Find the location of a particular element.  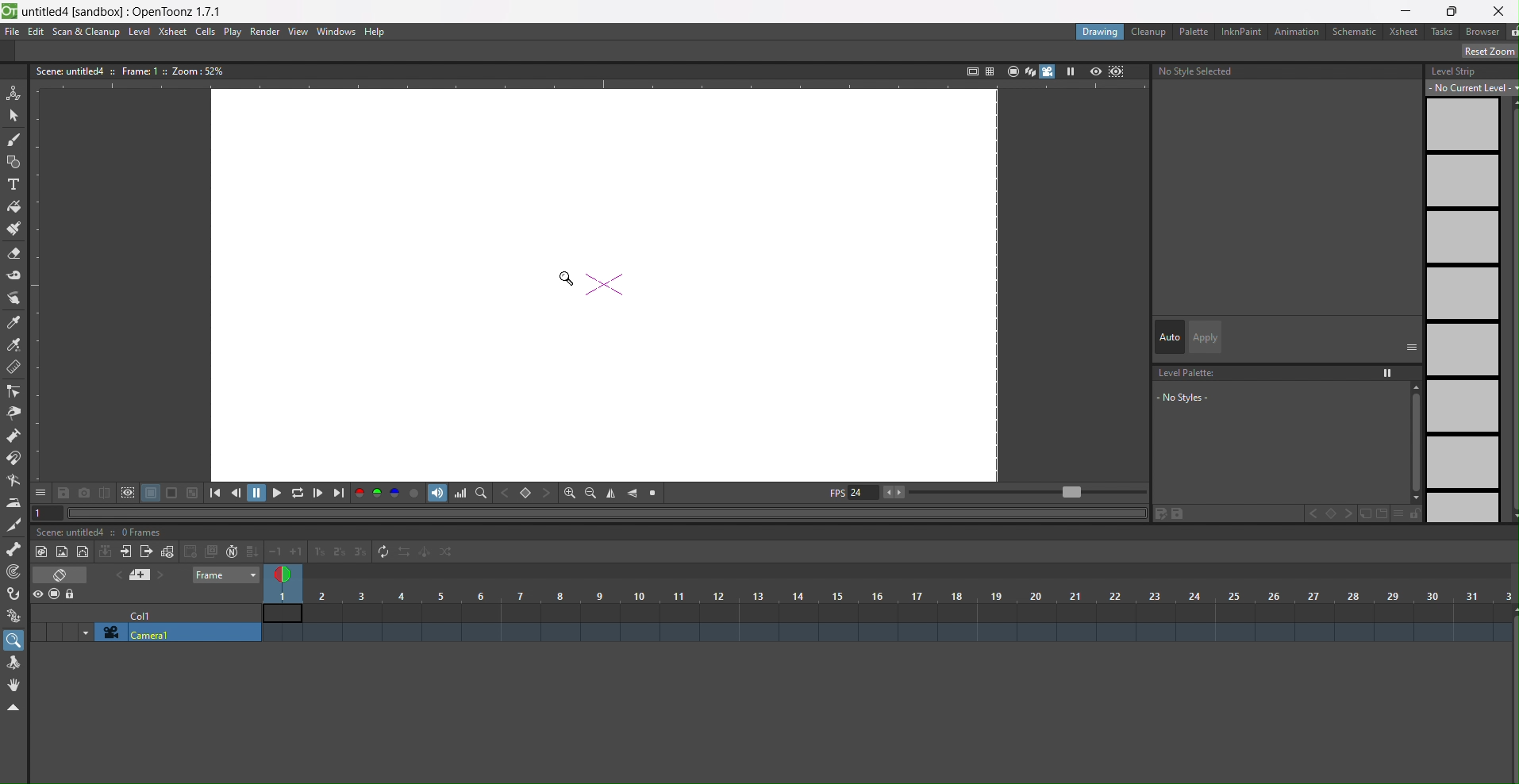

 is located at coordinates (251, 552).